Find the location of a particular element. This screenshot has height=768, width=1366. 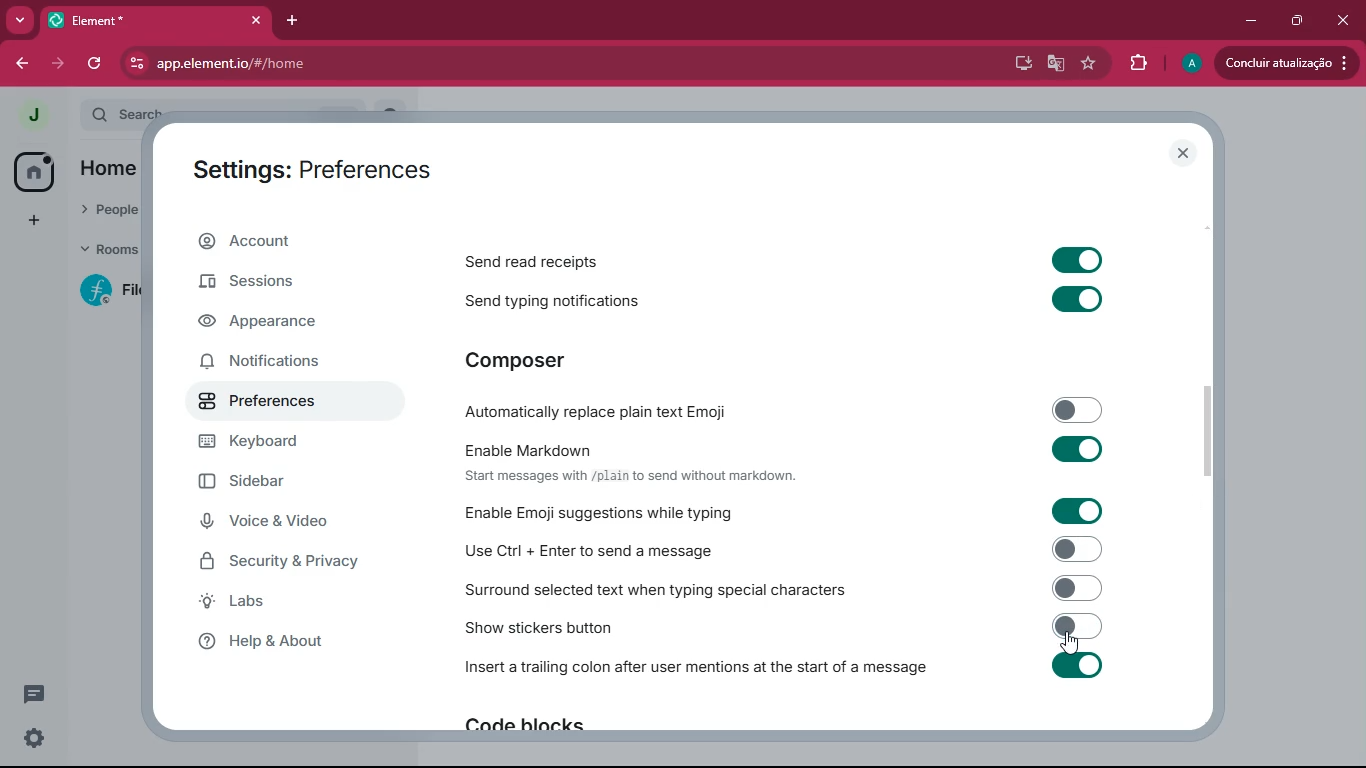

Surround selected text when typing special characters is located at coordinates (782, 589).